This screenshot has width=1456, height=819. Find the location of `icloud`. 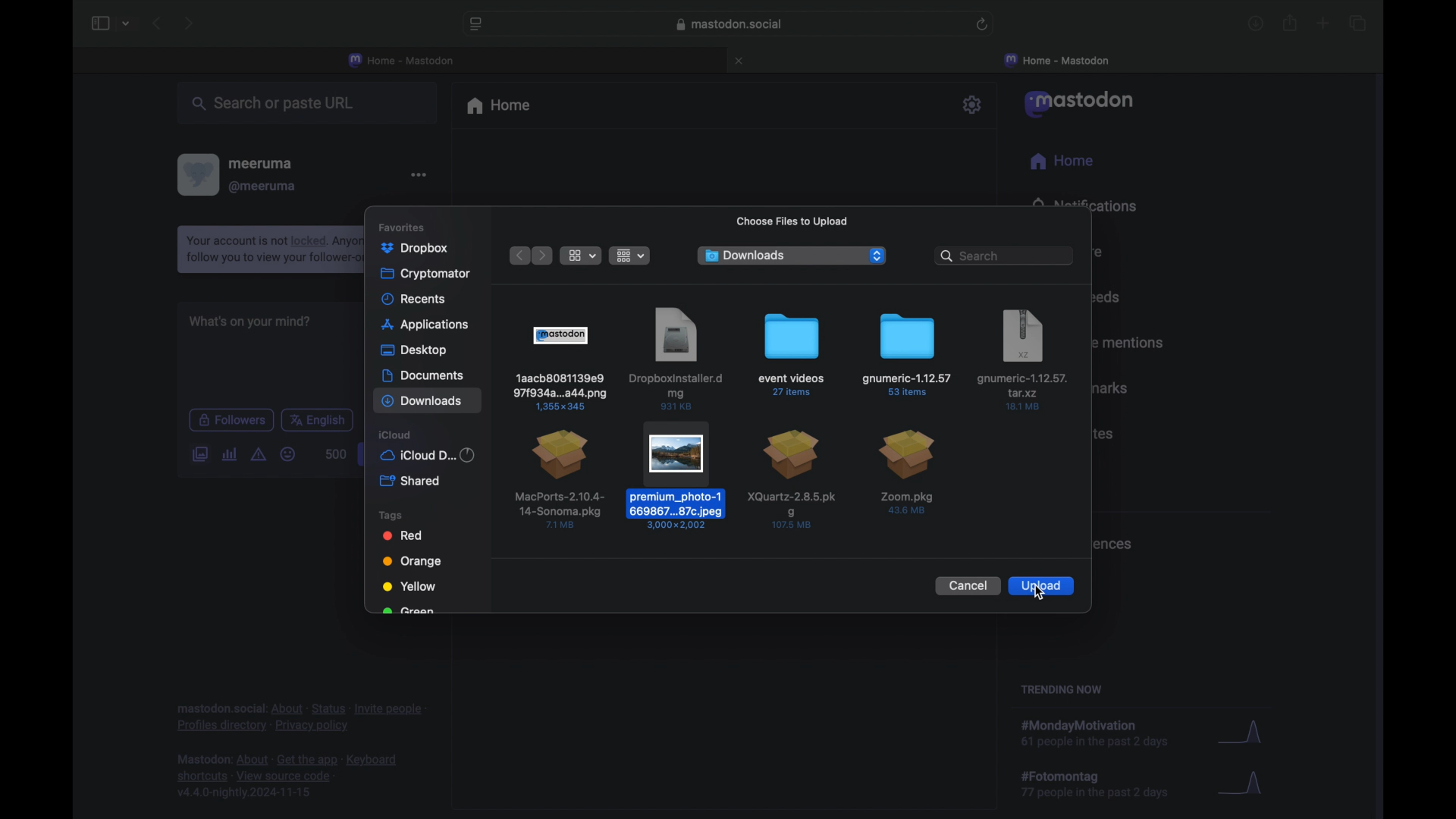

icloud is located at coordinates (397, 435).